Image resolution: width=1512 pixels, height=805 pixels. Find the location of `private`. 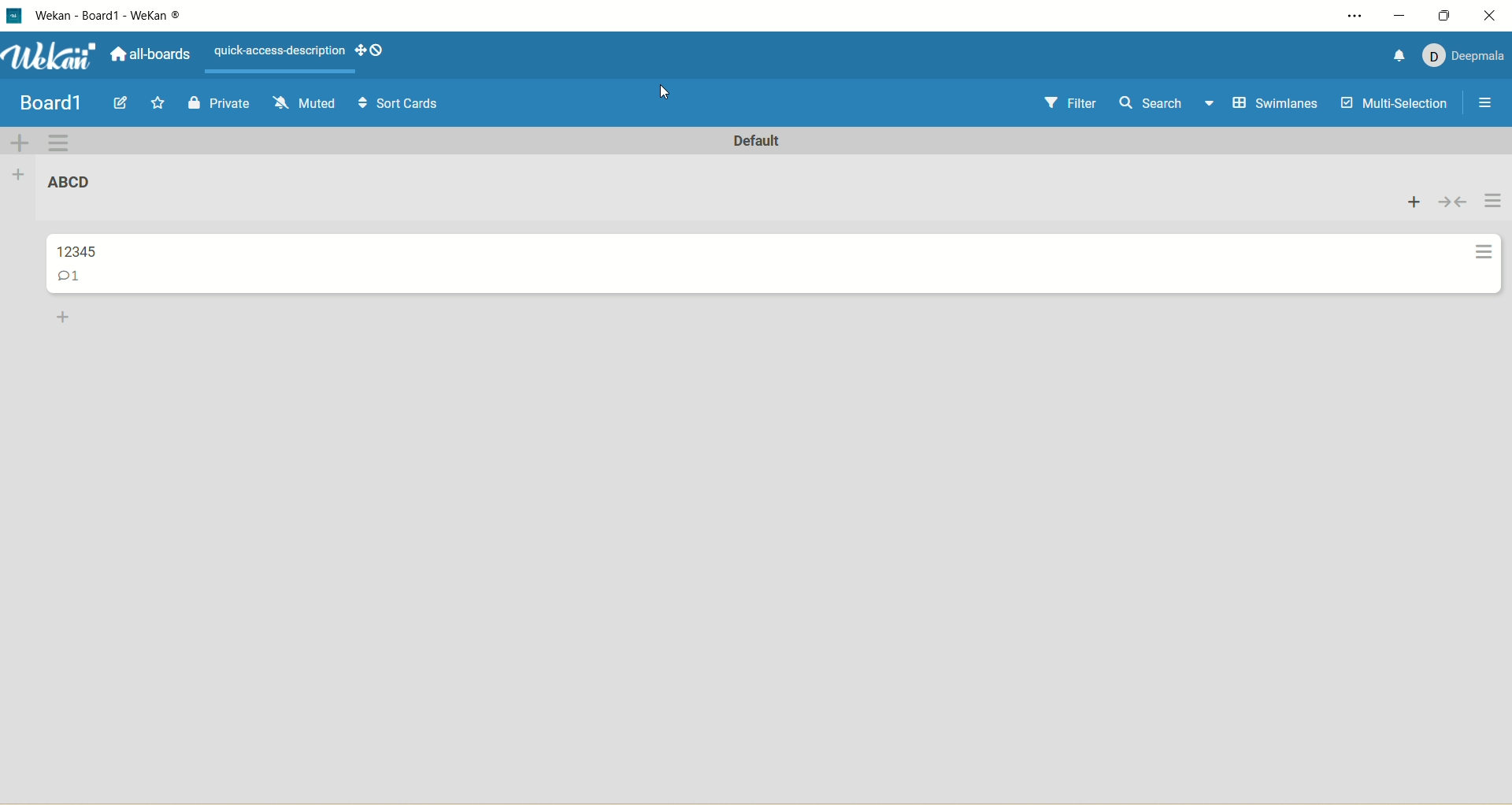

private is located at coordinates (220, 101).